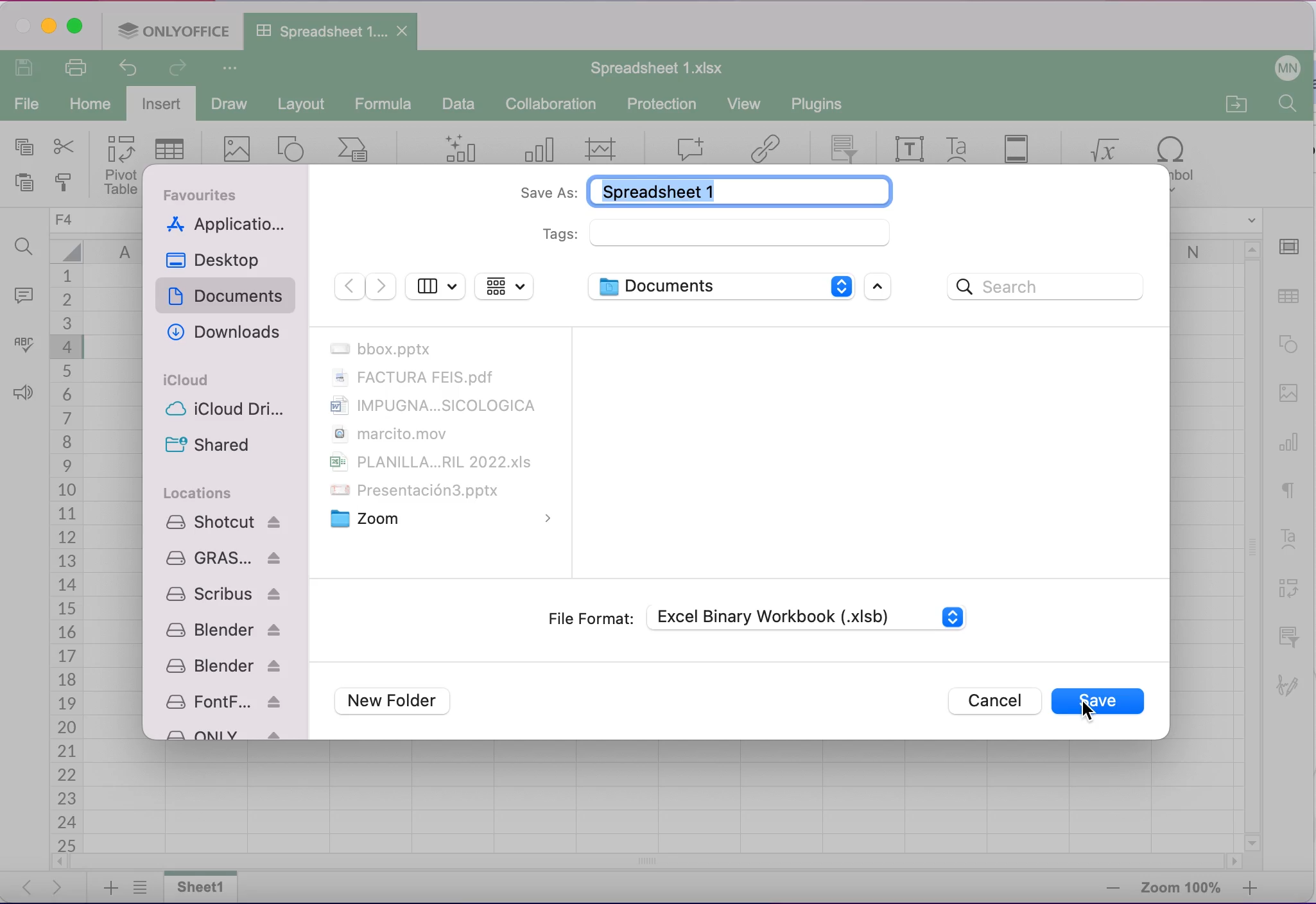 The image size is (1316, 904). I want to click on previous, so click(348, 287).